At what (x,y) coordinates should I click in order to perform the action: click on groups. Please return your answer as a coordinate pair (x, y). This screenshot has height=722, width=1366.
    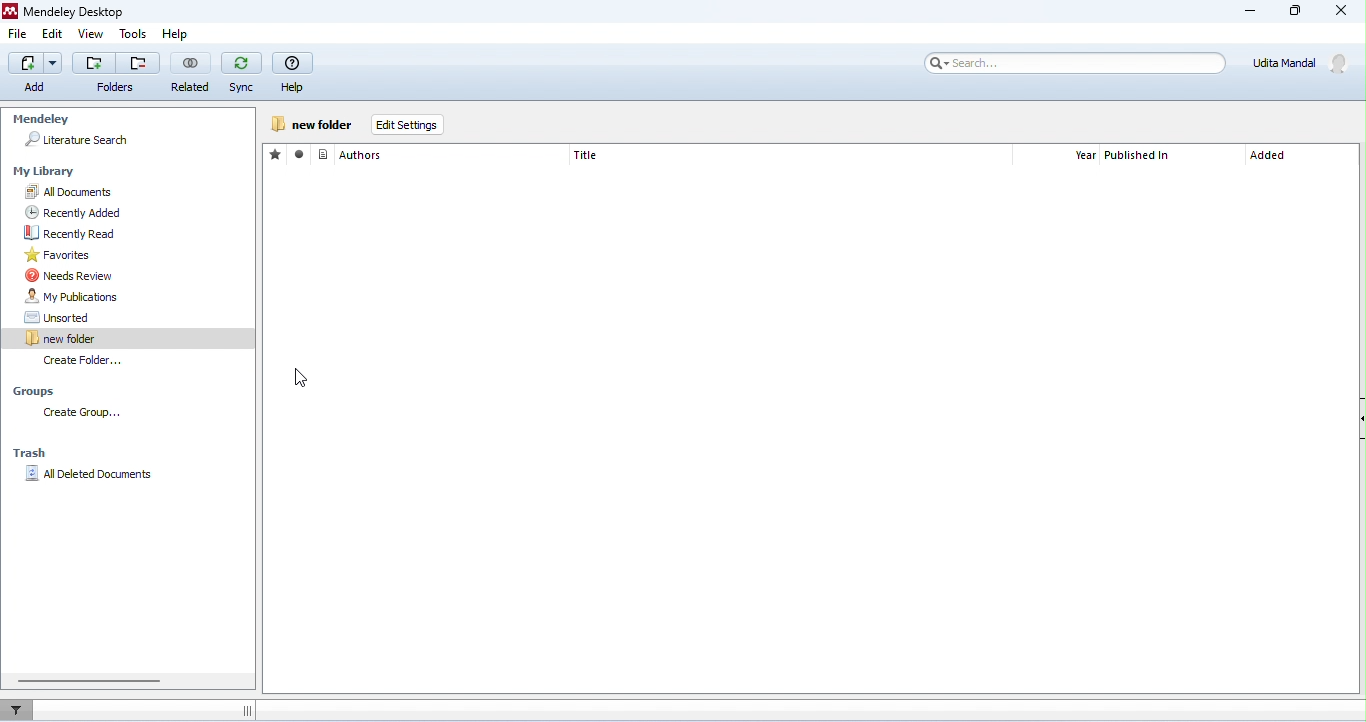
    Looking at the image, I should click on (40, 390).